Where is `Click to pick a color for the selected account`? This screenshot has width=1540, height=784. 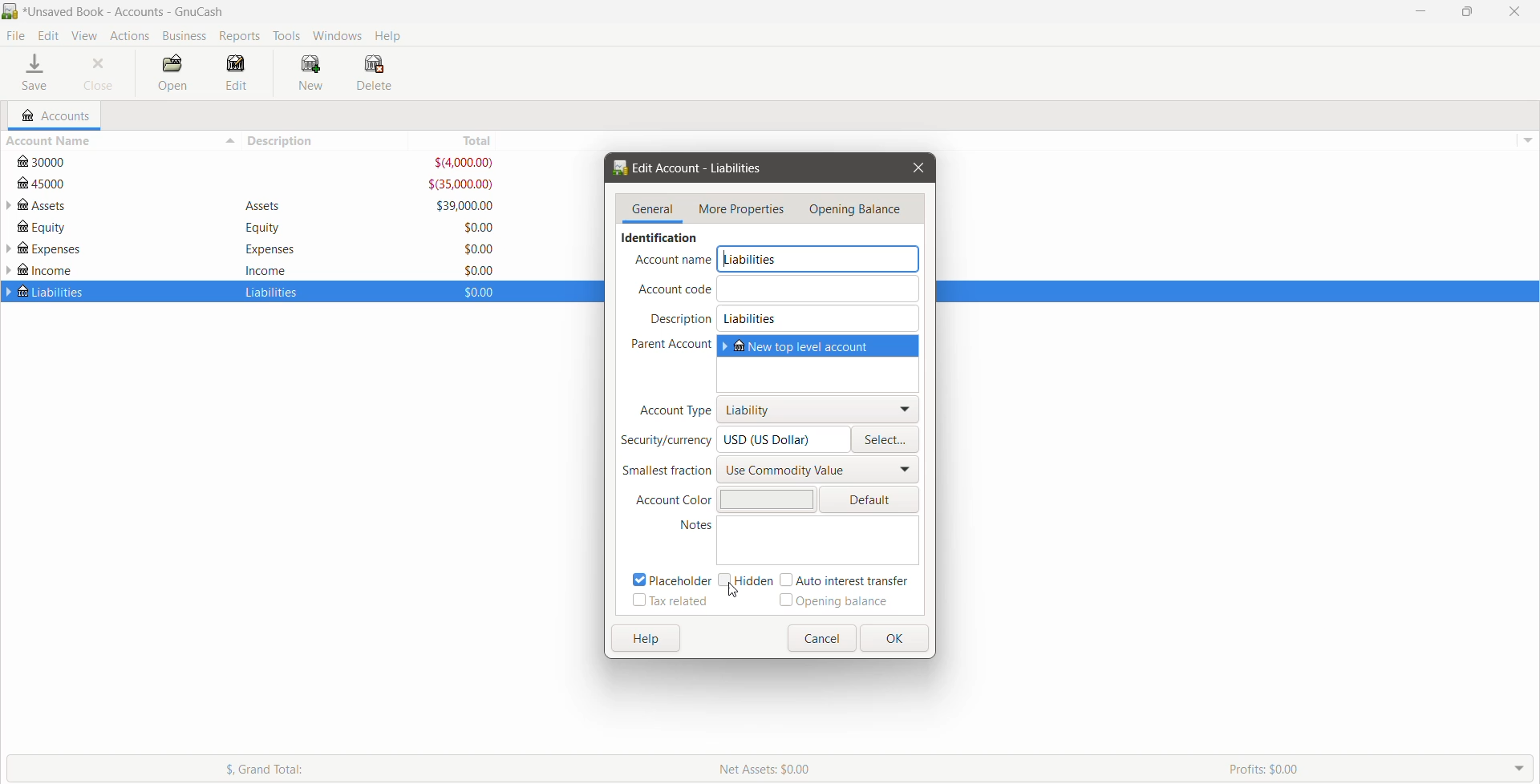
Click to pick a color for the selected account is located at coordinates (869, 499).